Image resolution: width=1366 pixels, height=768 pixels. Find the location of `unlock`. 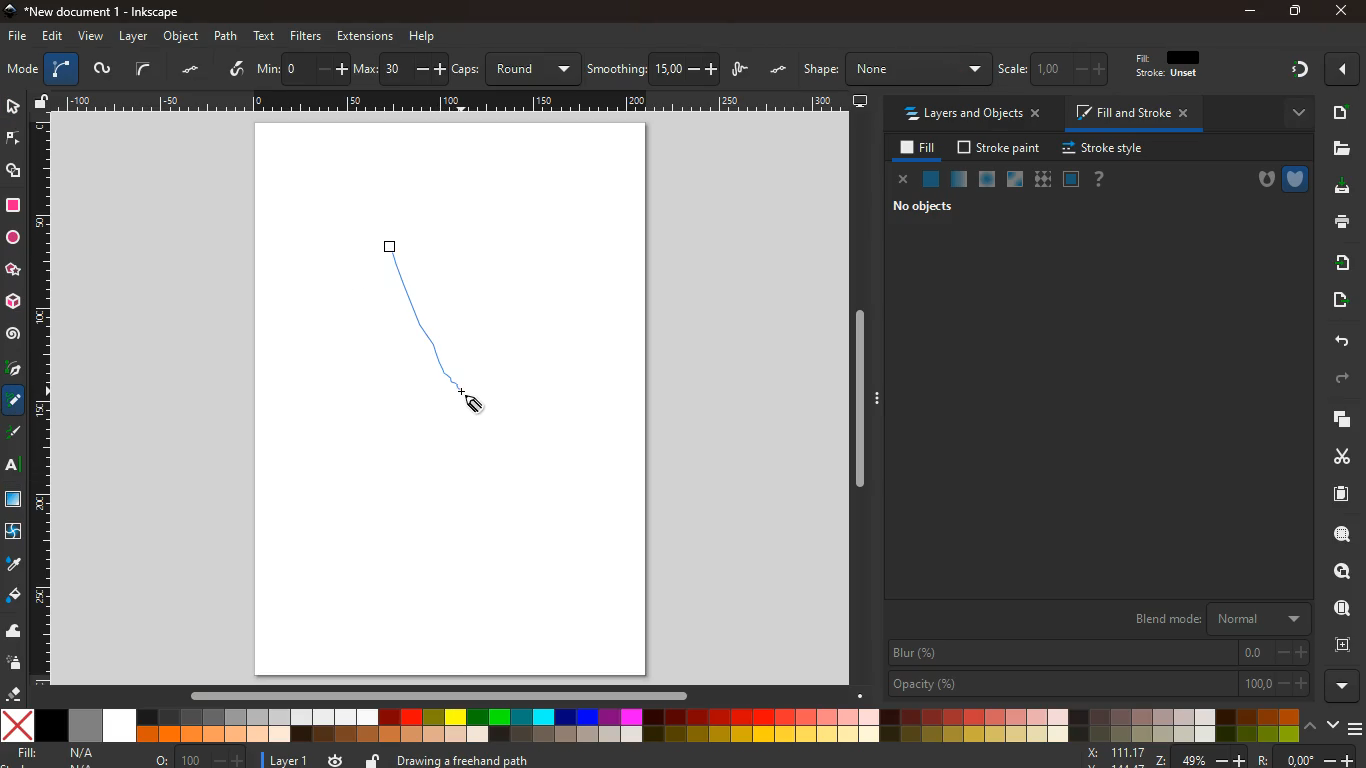

unlock is located at coordinates (373, 759).